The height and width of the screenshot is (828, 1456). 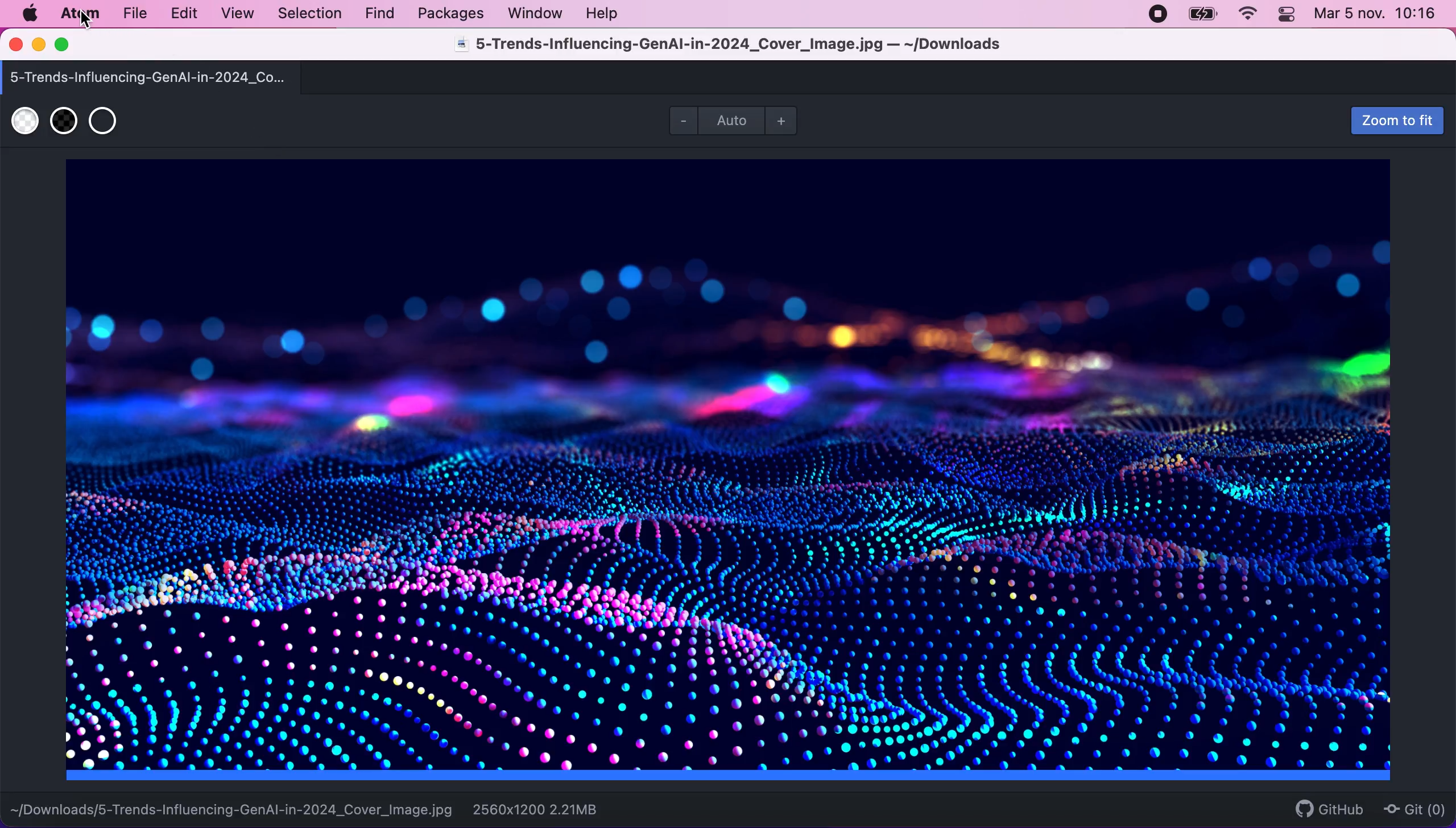 What do you see at coordinates (605, 13) in the screenshot?
I see `help` at bounding box center [605, 13].